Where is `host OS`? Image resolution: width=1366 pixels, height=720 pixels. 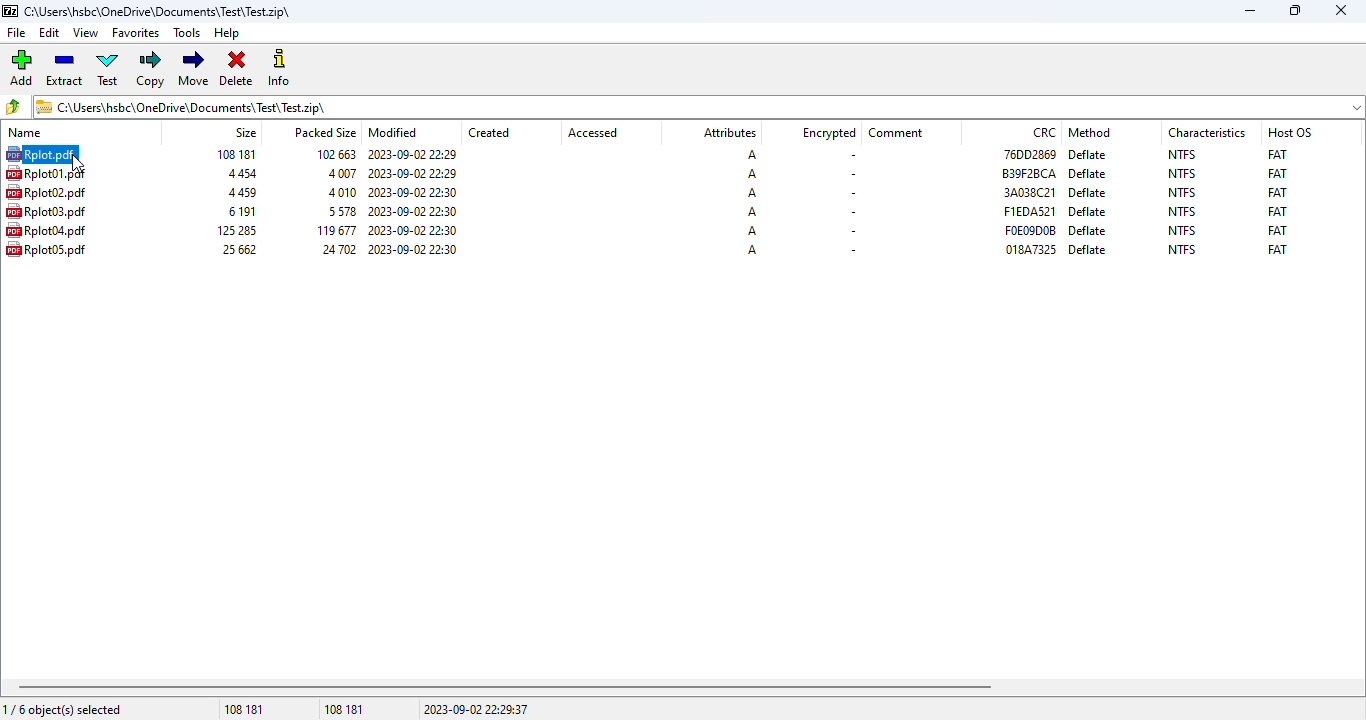
host OS is located at coordinates (1290, 132).